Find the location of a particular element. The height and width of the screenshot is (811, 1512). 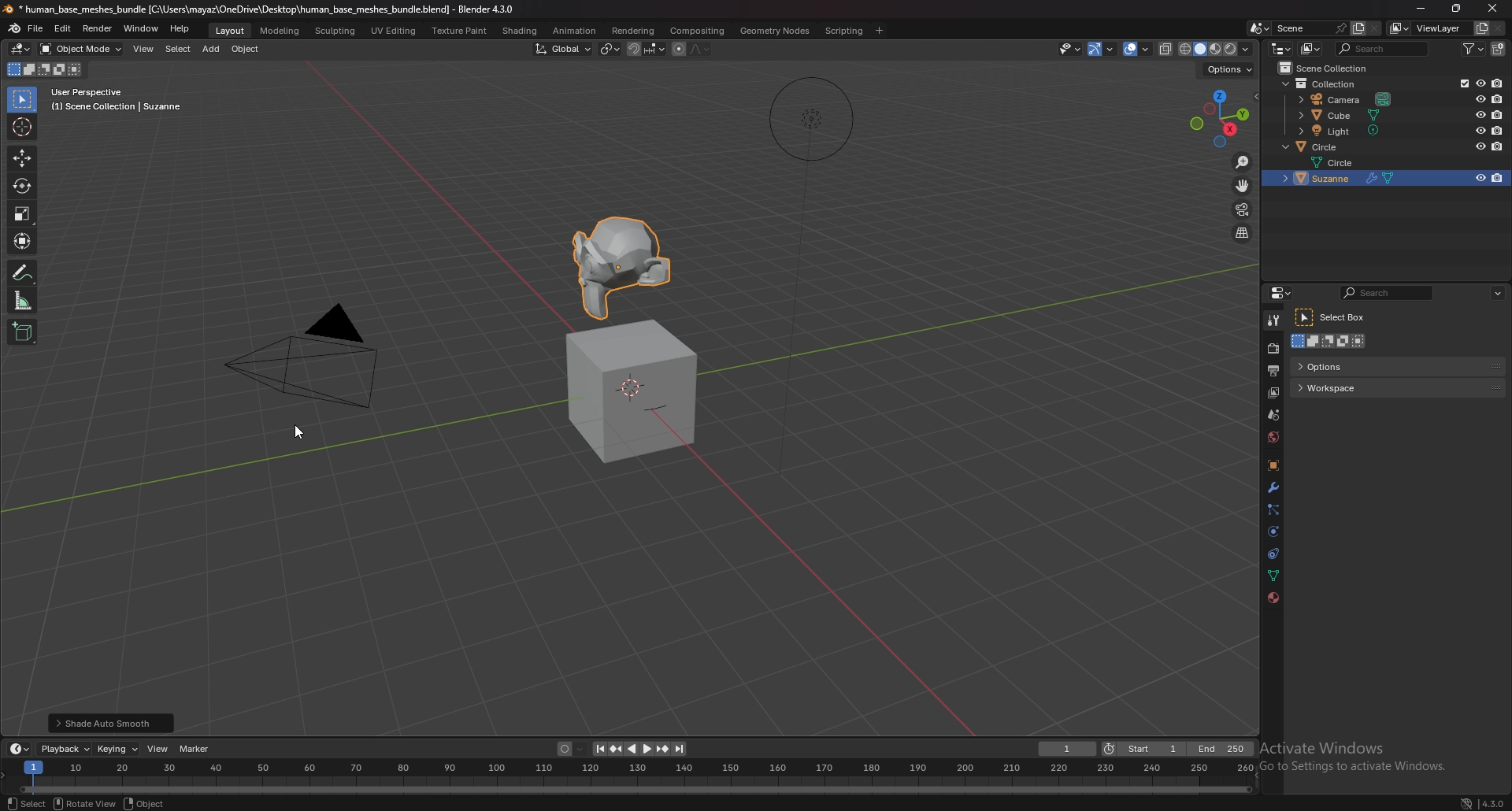

editor type is located at coordinates (21, 49).